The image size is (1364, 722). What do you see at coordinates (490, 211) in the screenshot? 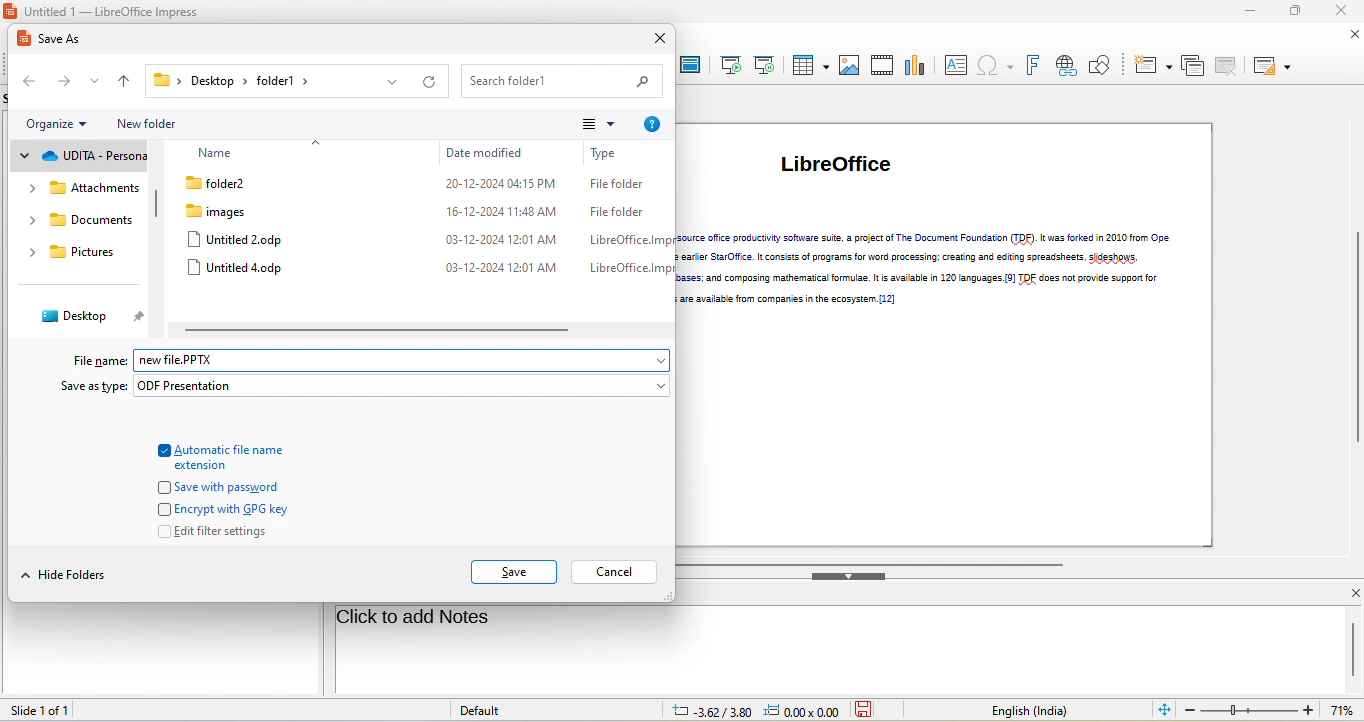
I see `16-12-2024 11:48 AM` at bounding box center [490, 211].